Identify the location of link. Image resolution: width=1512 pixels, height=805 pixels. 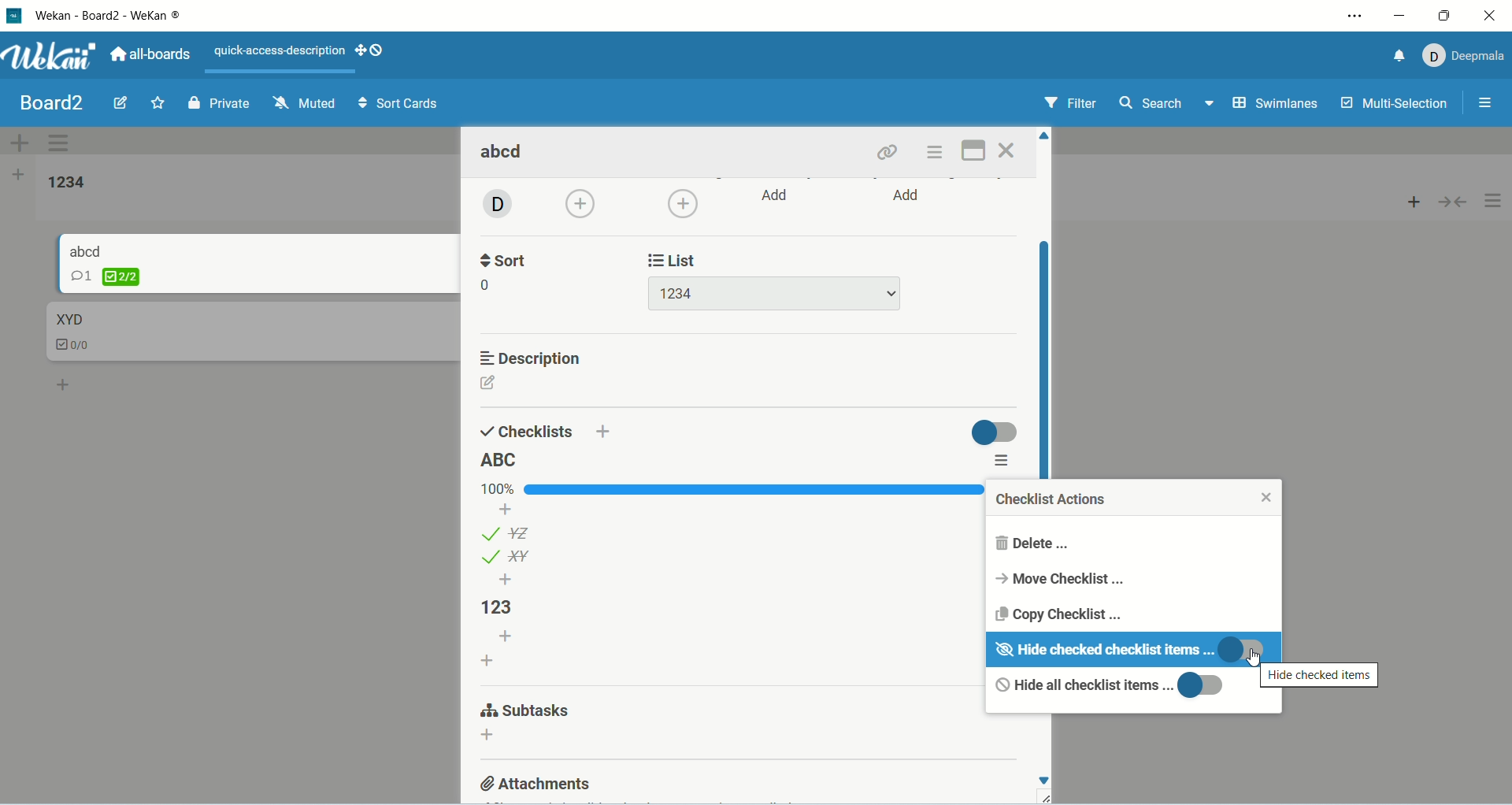
(890, 153).